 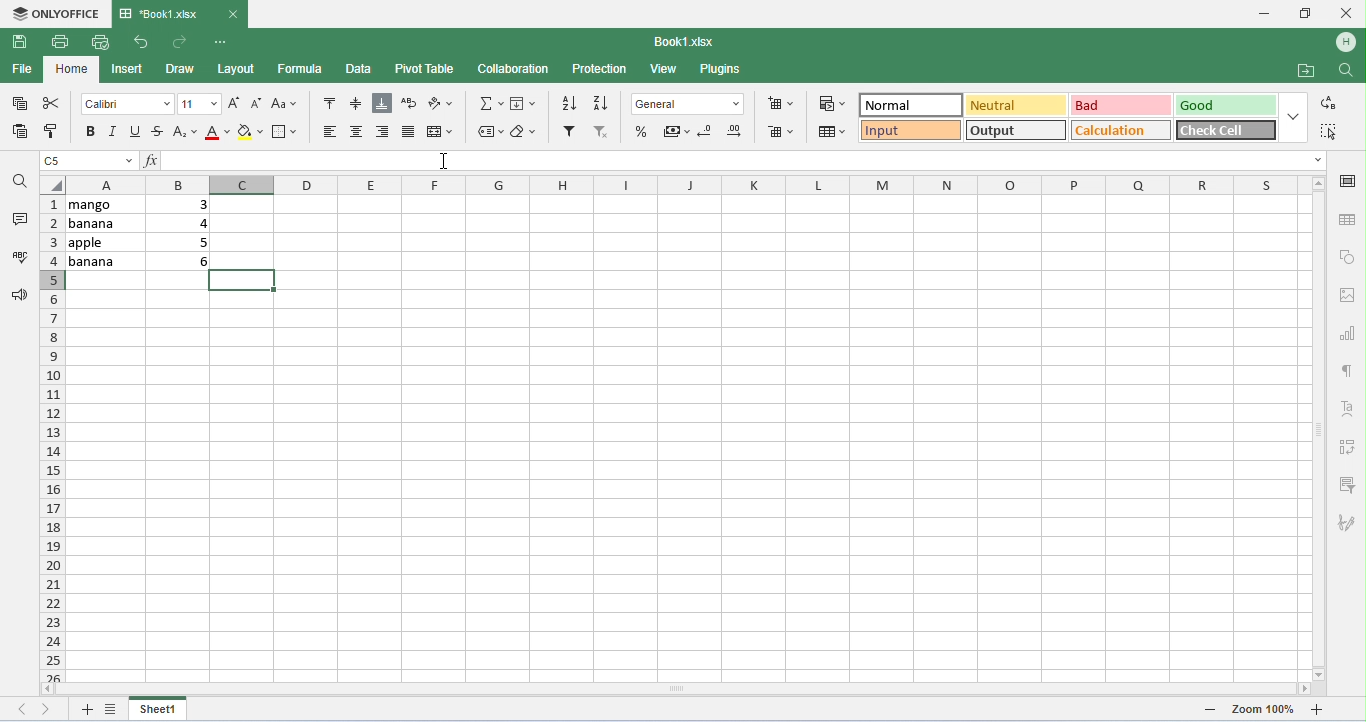 What do you see at coordinates (21, 131) in the screenshot?
I see `paste` at bounding box center [21, 131].